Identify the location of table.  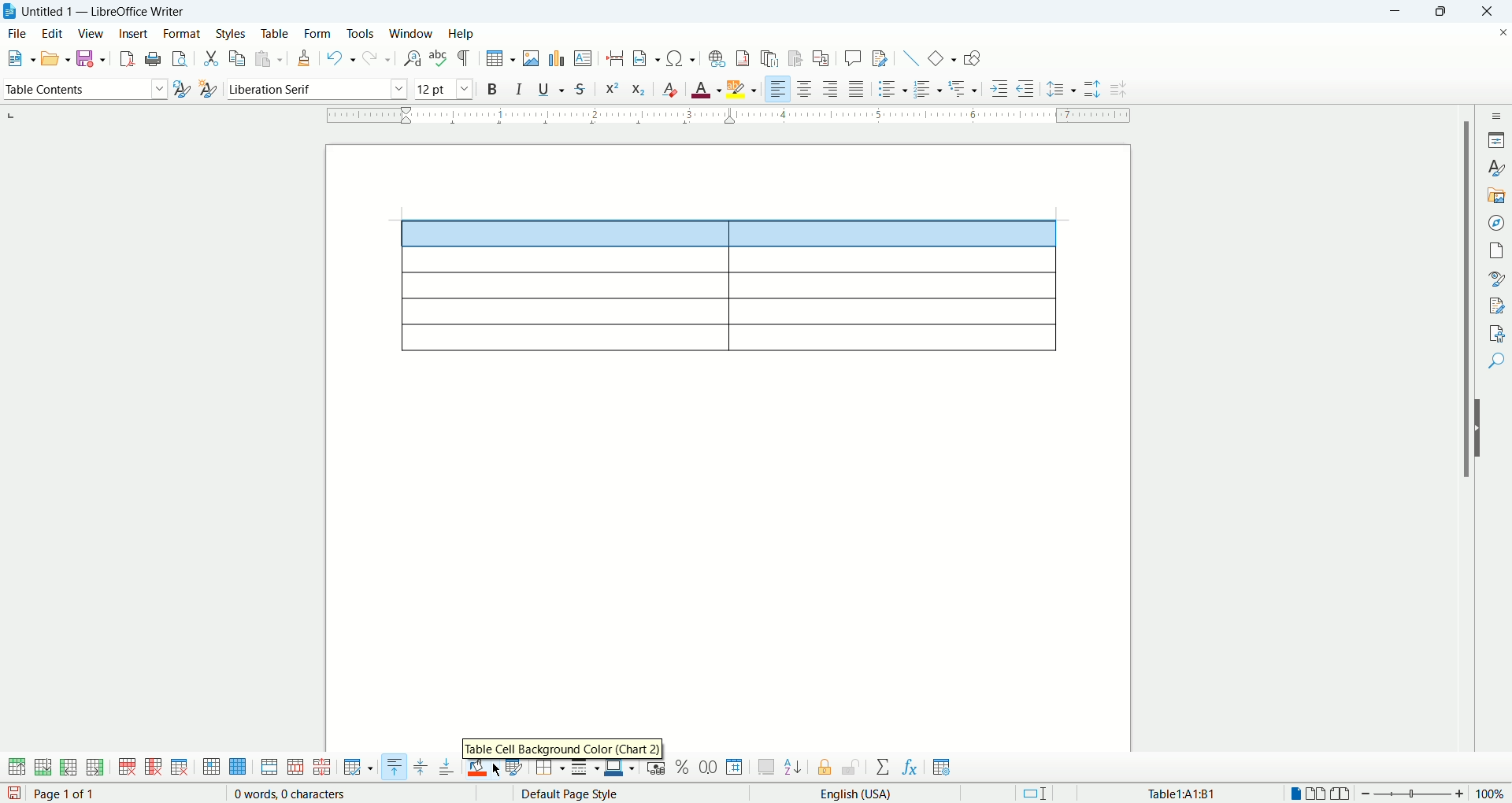
(275, 34).